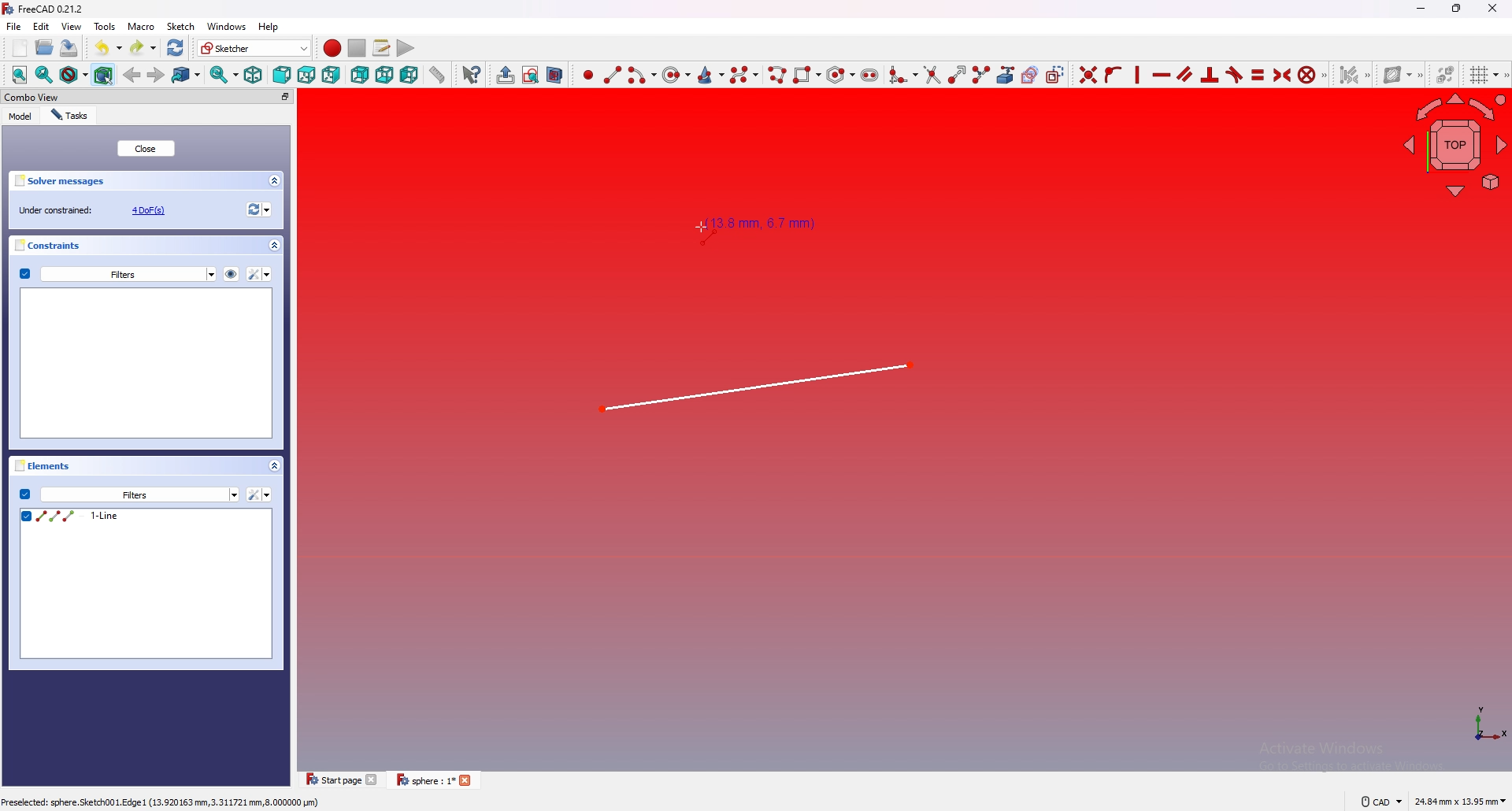 Image resolution: width=1512 pixels, height=811 pixels. Describe the element at coordinates (182, 27) in the screenshot. I see `Sketch` at that location.